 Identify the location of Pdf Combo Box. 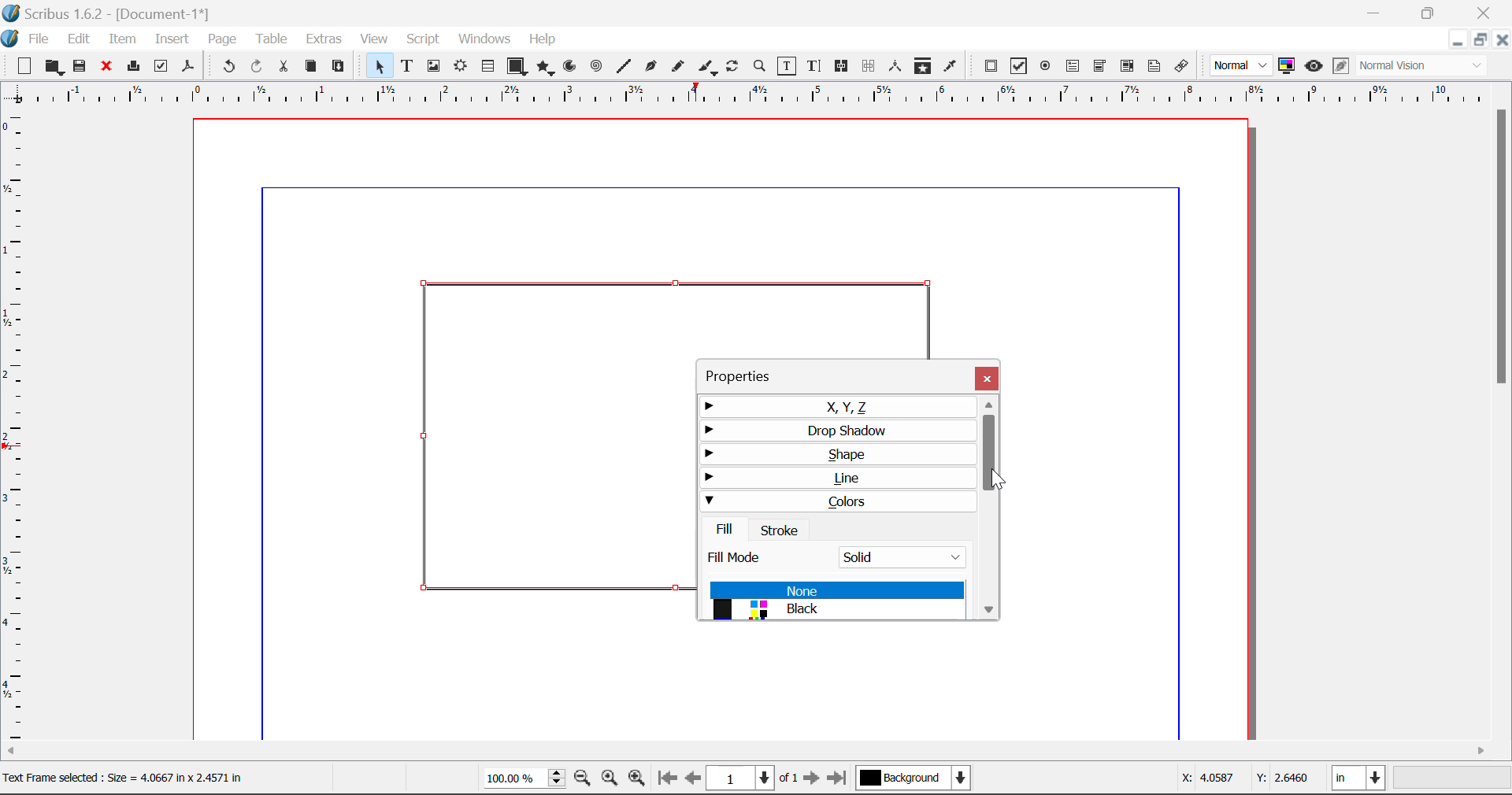
(1100, 65).